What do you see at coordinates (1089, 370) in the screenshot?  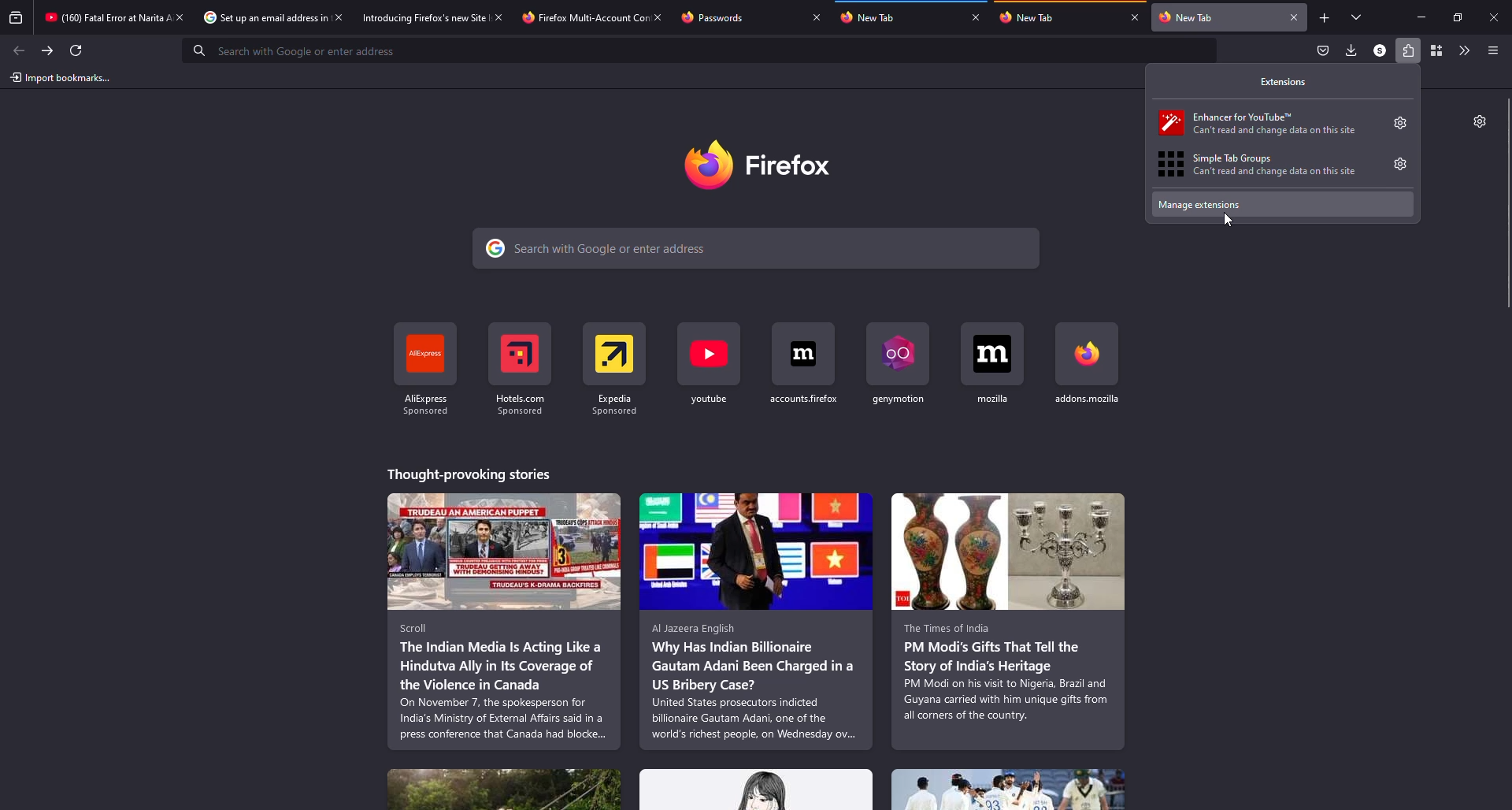 I see `shortcut` at bounding box center [1089, 370].